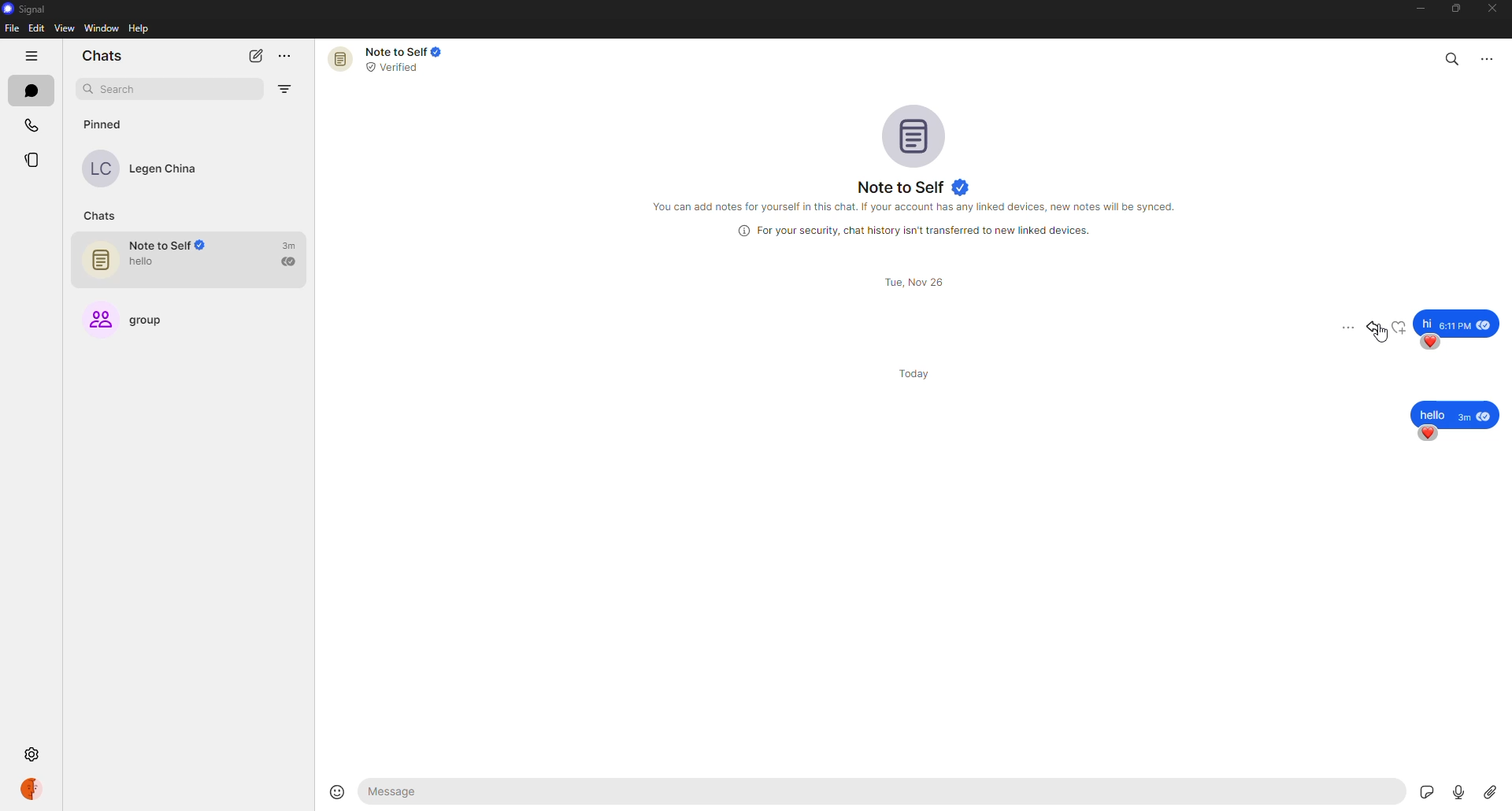 This screenshot has height=811, width=1512. What do you see at coordinates (62, 28) in the screenshot?
I see `view` at bounding box center [62, 28].